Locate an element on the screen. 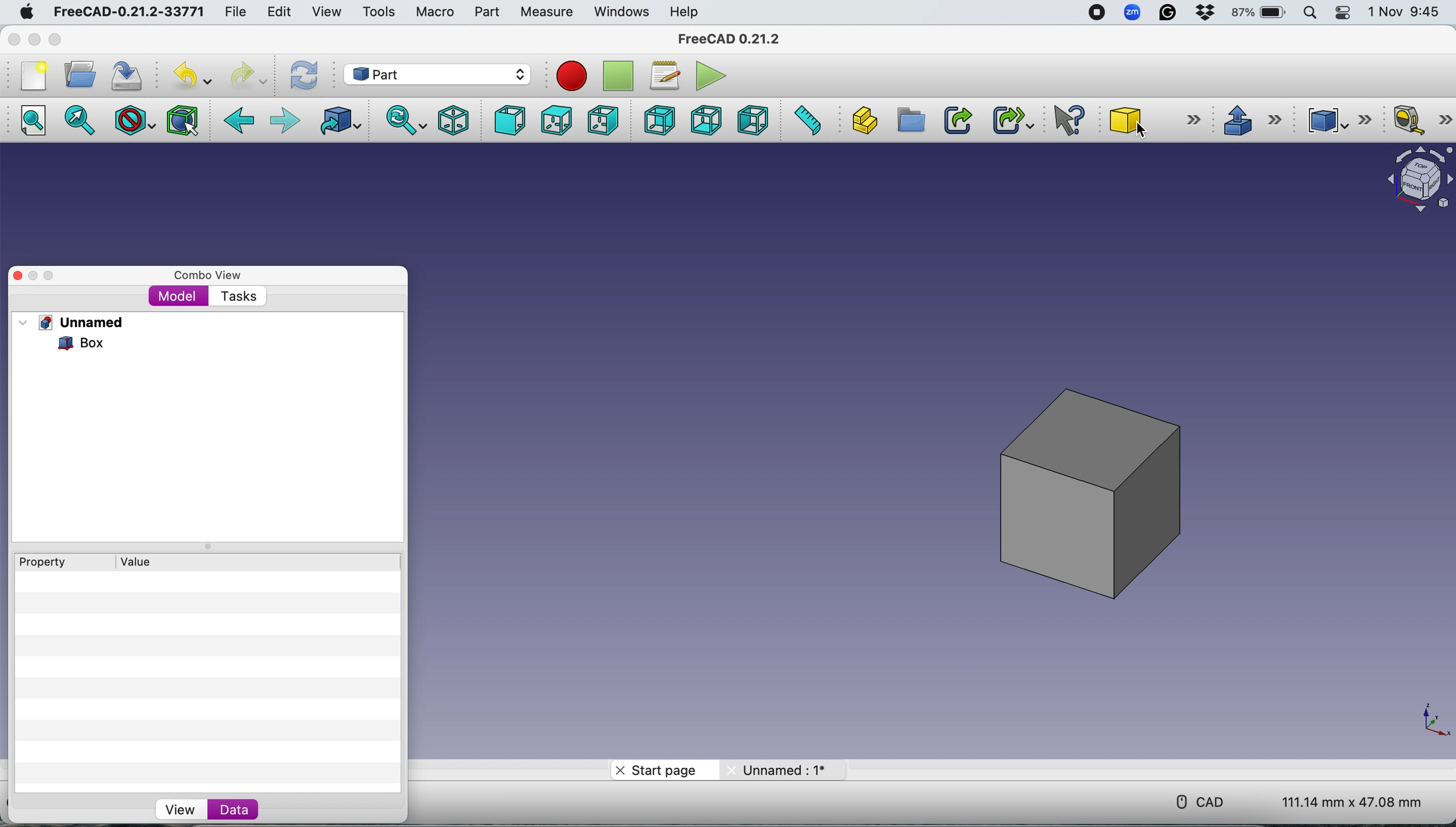 The height and width of the screenshot is (827, 1456). Maximise is located at coordinates (56, 40).